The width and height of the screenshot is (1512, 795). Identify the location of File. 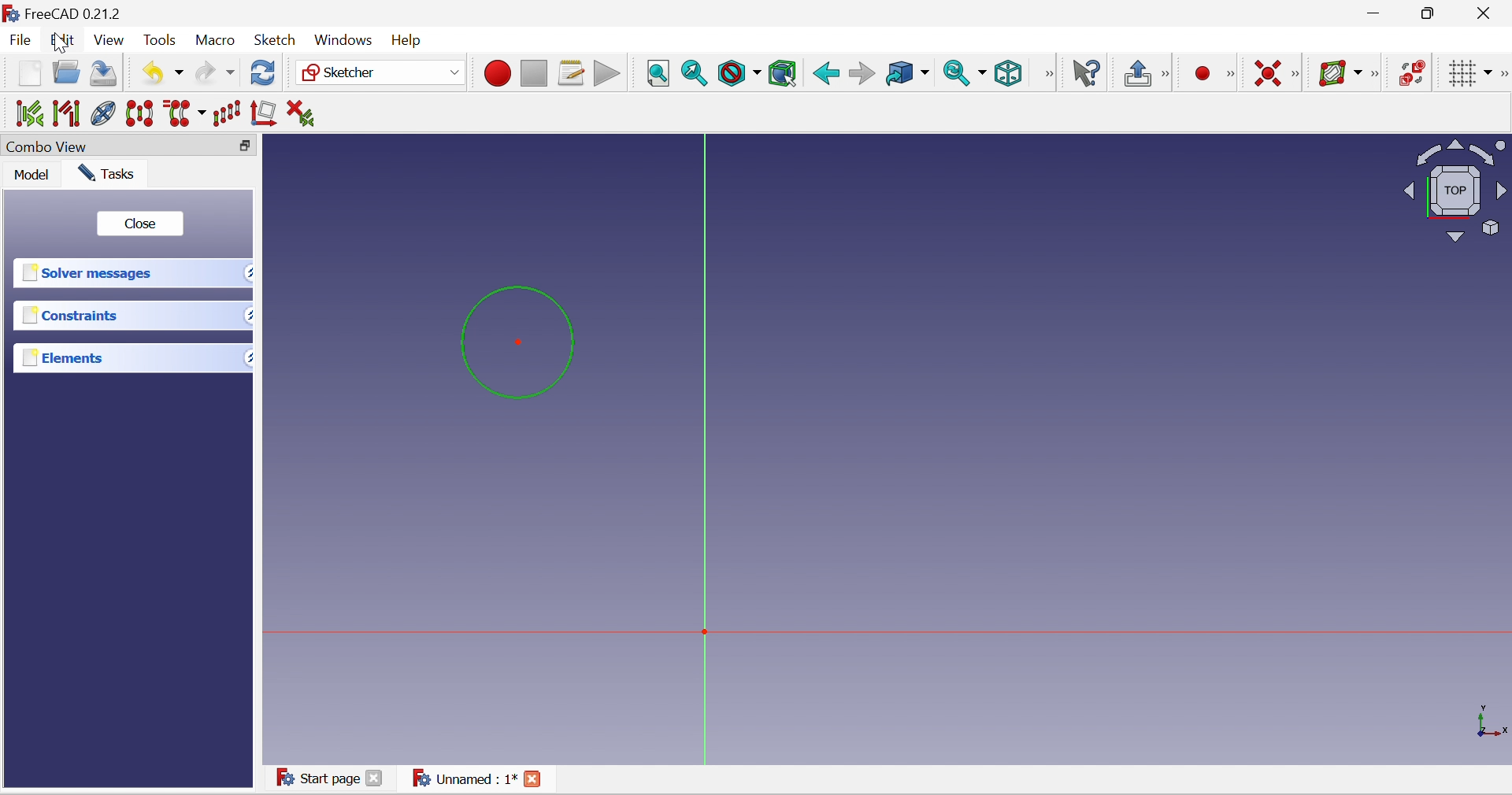
(22, 39).